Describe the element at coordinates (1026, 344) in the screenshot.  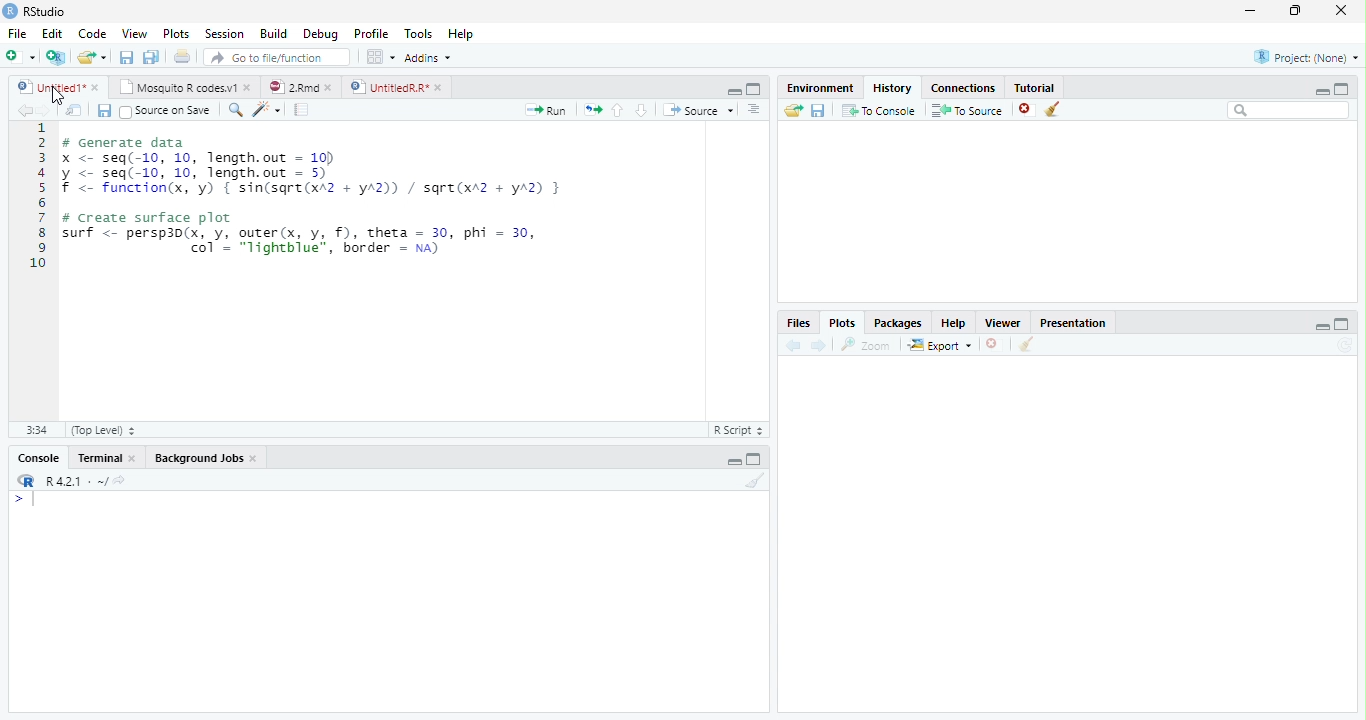
I see `Clear all plots` at that location.